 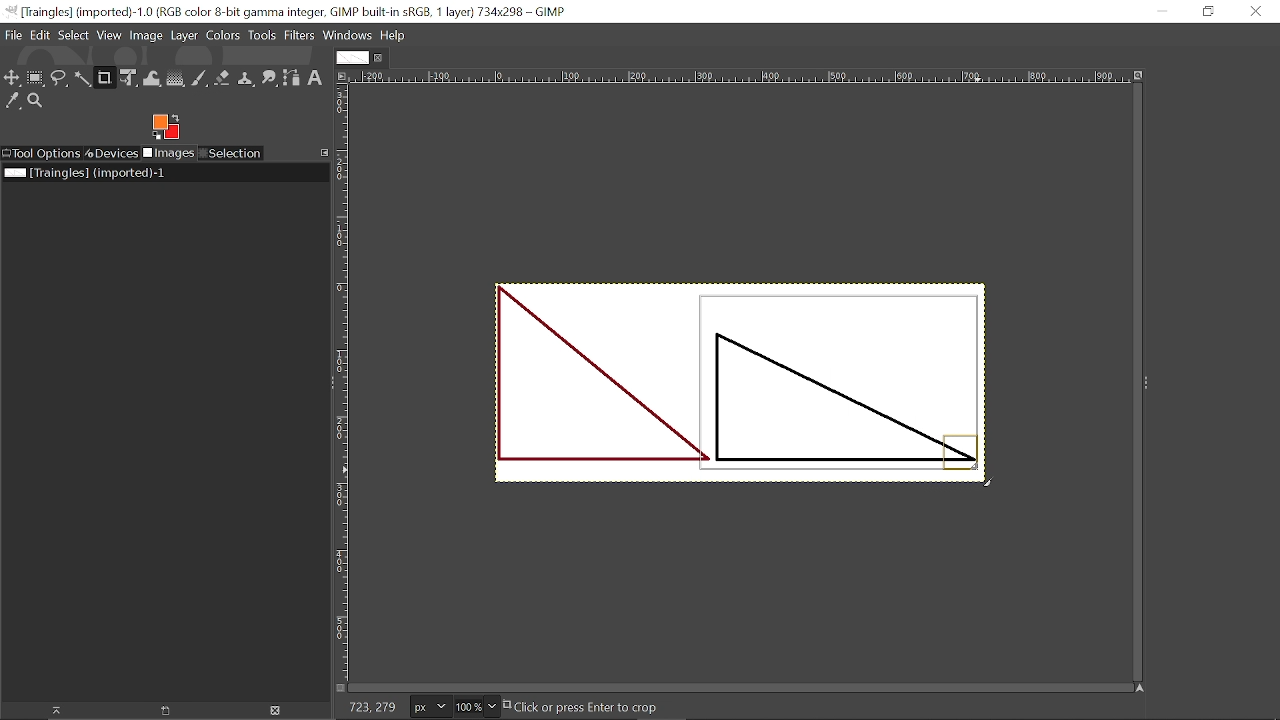 What do you see at coordinates (42, 36) in the screenshot?
I see `Edit` at bounding box center [42, 36].